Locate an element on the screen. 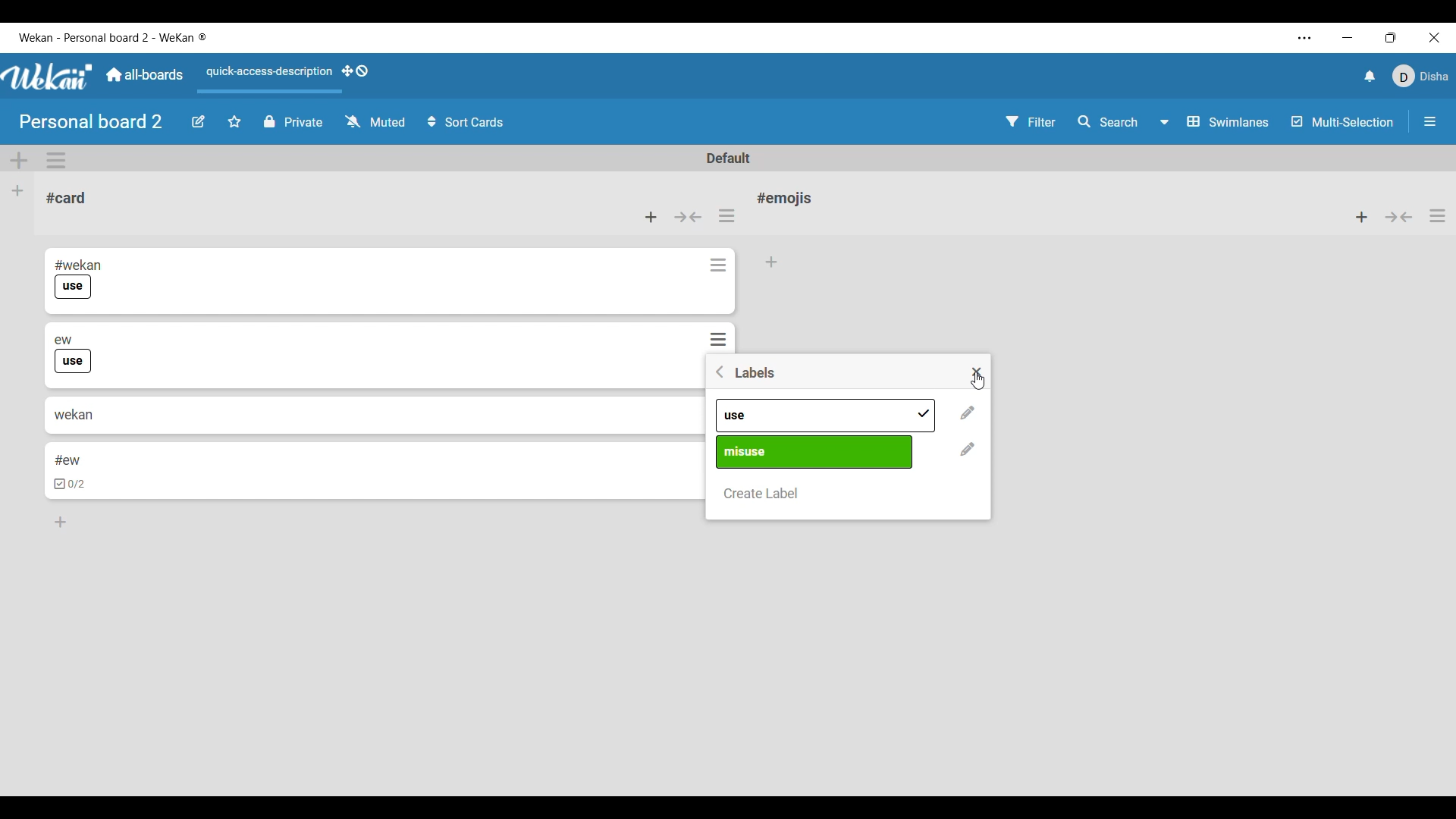  Add card to top of list is located at coordinates (651, 217).